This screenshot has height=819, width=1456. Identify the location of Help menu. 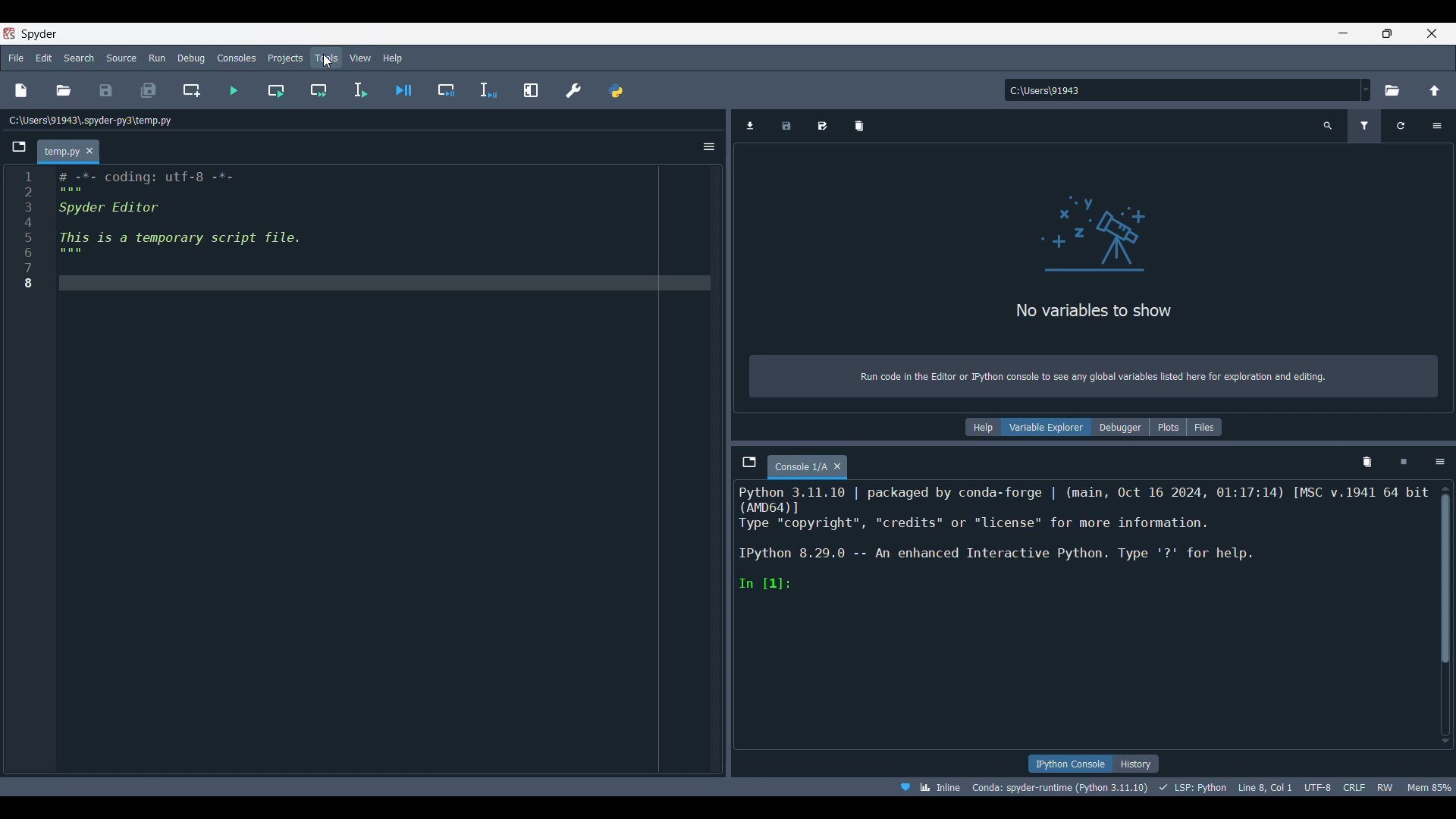
(393, 58).